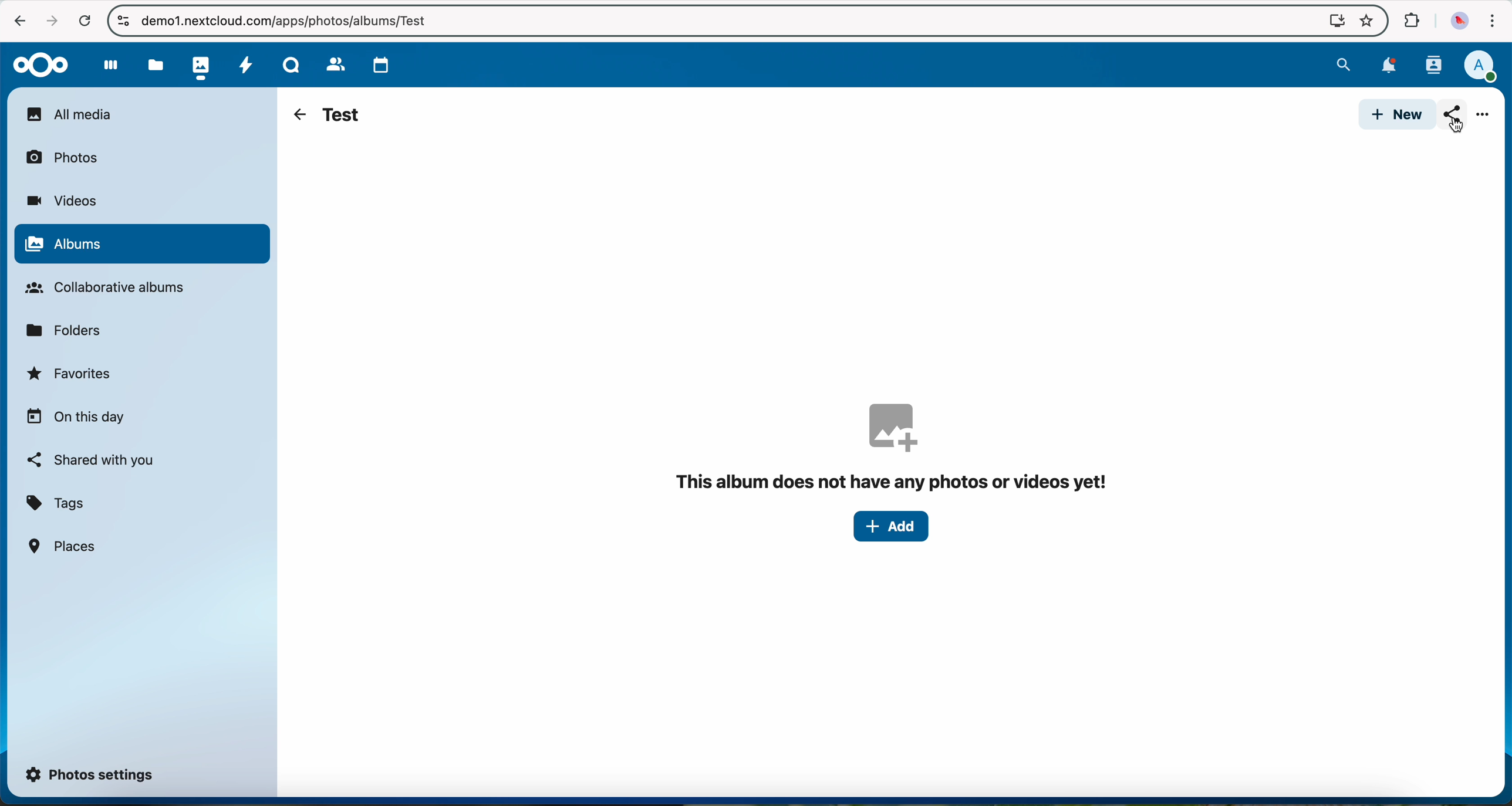 Image resolution: width=1512 pixels, height=806 pixels. Describe the element at coordinates (891, 527) in the screenshot. I see `add button` at that location.